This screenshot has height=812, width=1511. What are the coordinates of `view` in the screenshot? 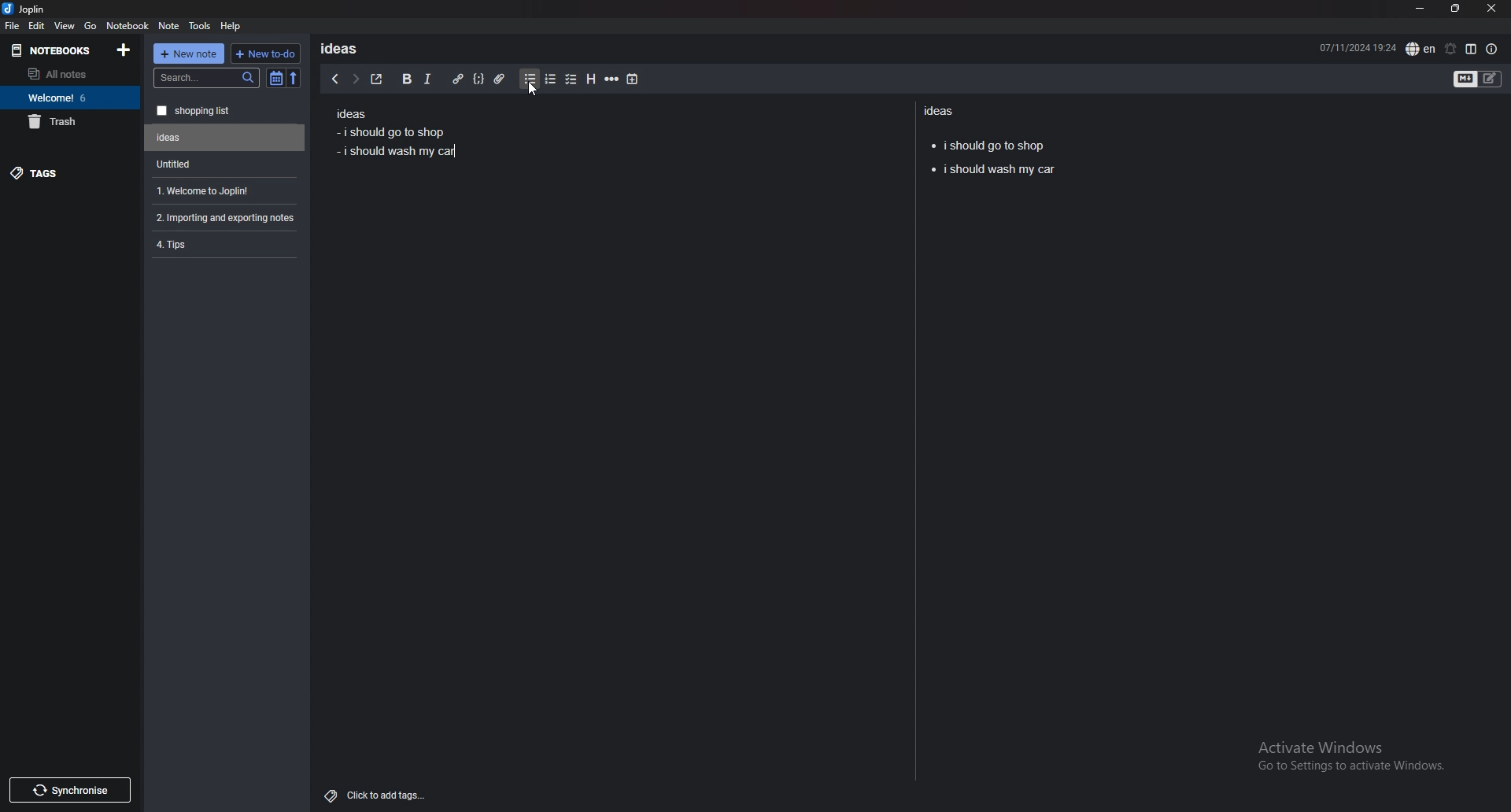 It's located at (65, 25).